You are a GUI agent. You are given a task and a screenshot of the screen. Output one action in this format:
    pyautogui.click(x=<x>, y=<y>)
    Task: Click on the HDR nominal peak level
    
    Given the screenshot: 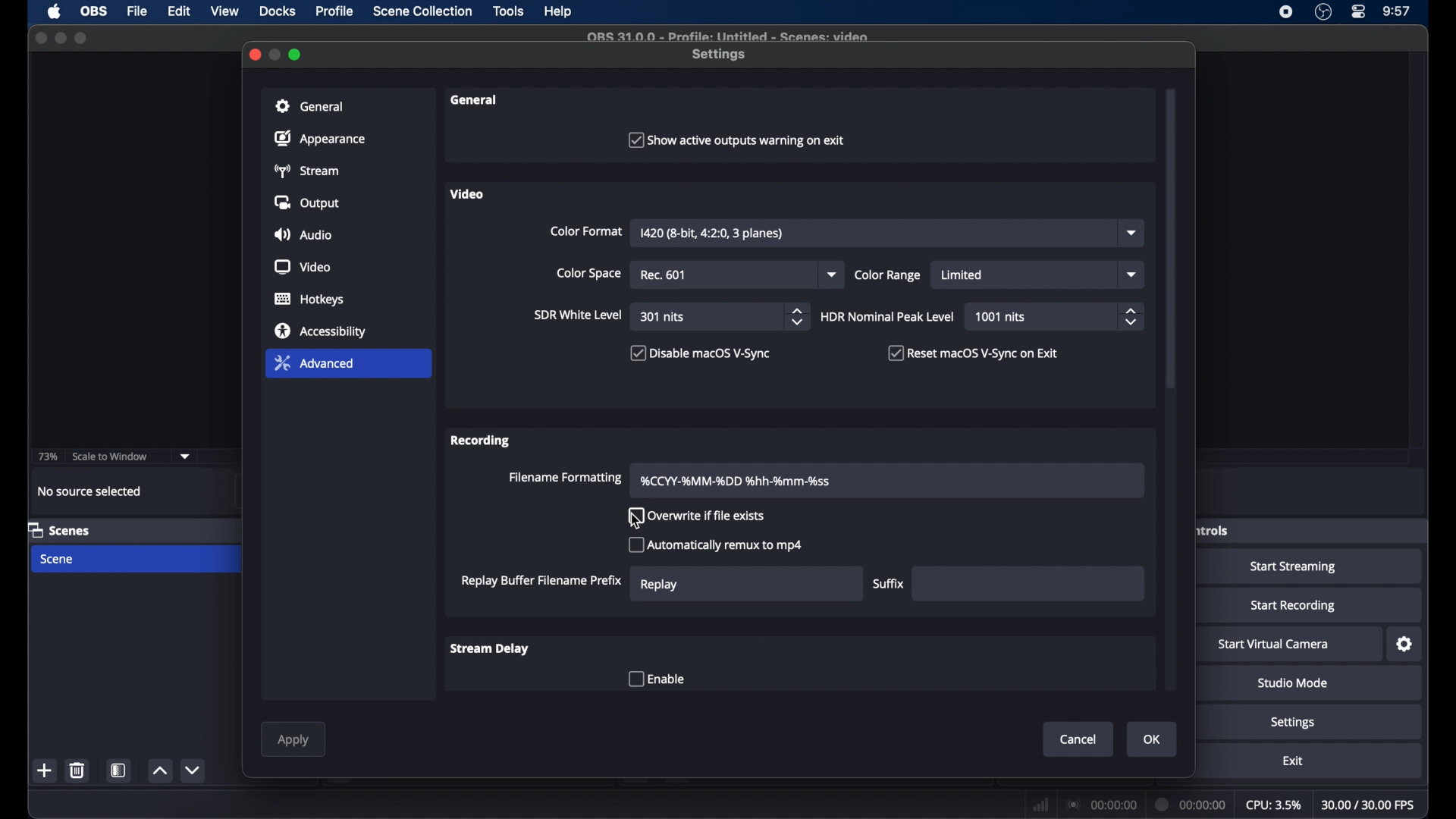 What is the action you would take?
    pyautogui.click(x=888, y=317)
    